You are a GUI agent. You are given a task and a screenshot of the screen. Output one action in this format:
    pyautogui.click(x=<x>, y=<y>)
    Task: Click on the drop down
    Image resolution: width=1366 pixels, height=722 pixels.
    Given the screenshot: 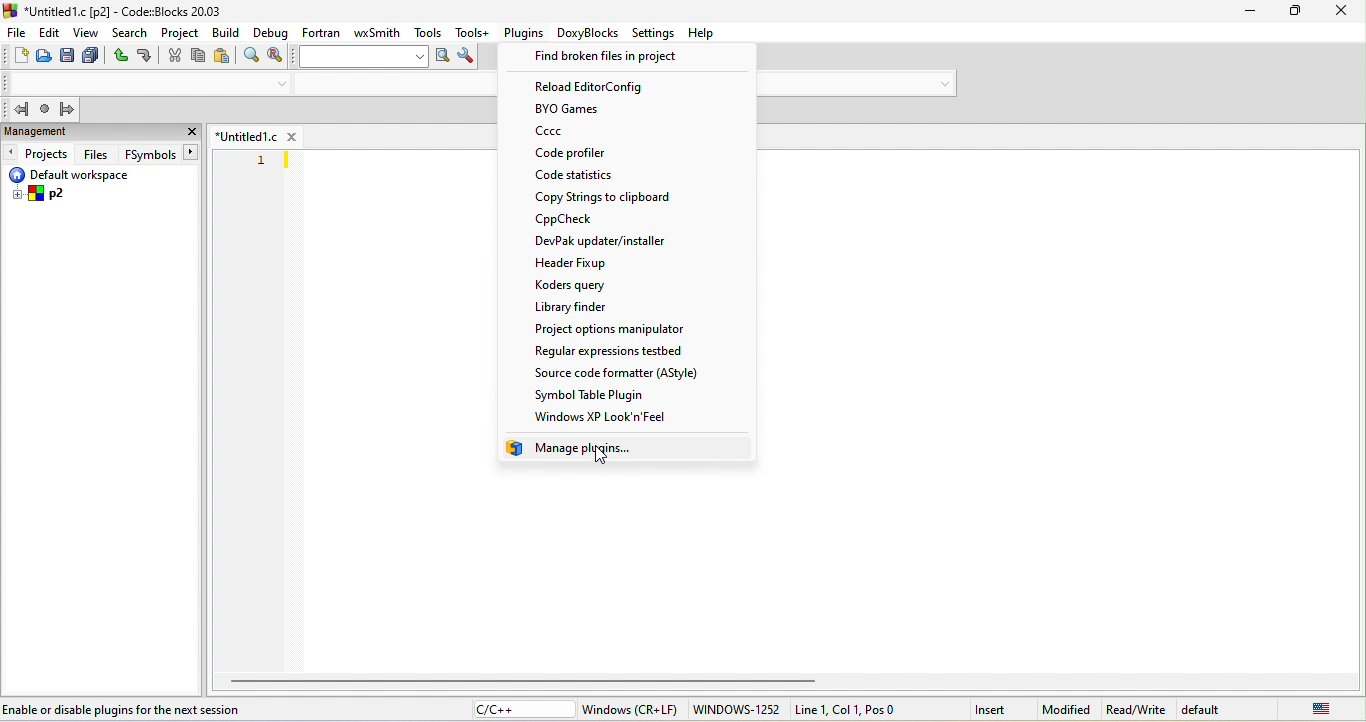 What is the action you would take?
    pyautogui.click(x=282, y=85)
    